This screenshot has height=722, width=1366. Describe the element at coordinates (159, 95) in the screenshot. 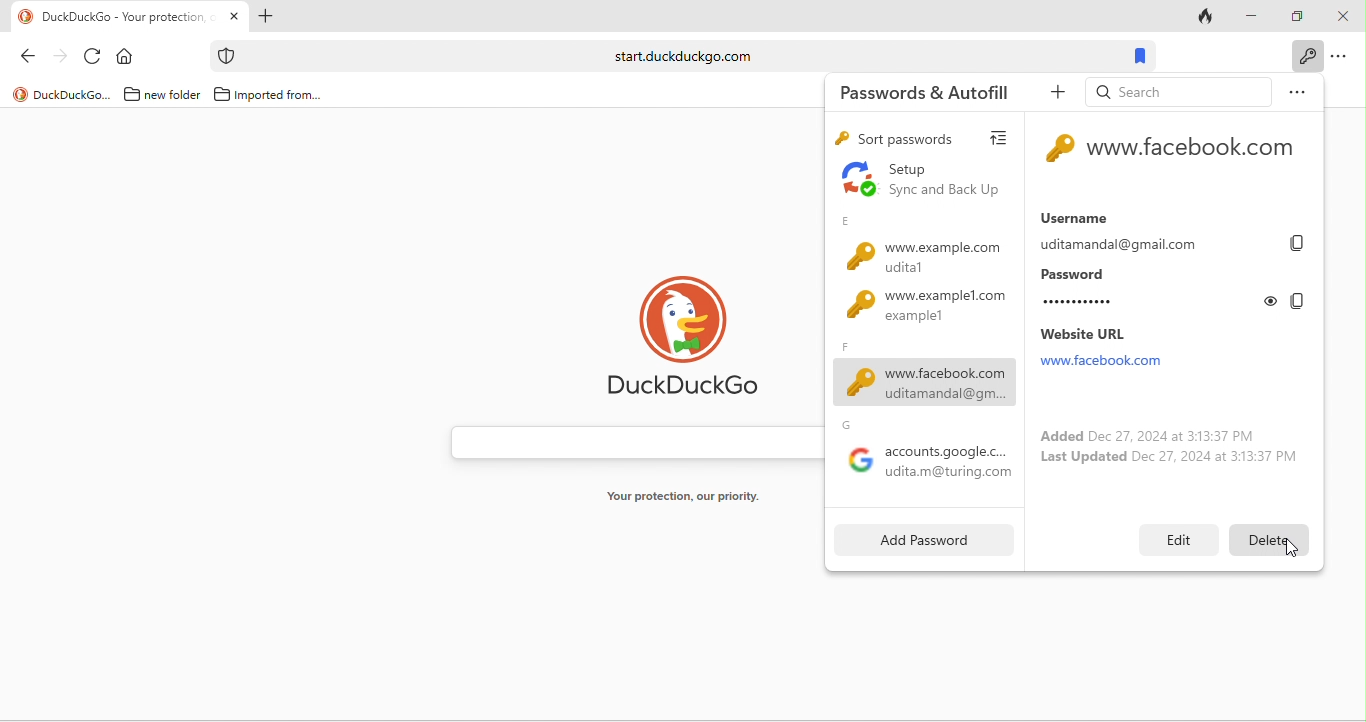

I see `new folder` at that location.